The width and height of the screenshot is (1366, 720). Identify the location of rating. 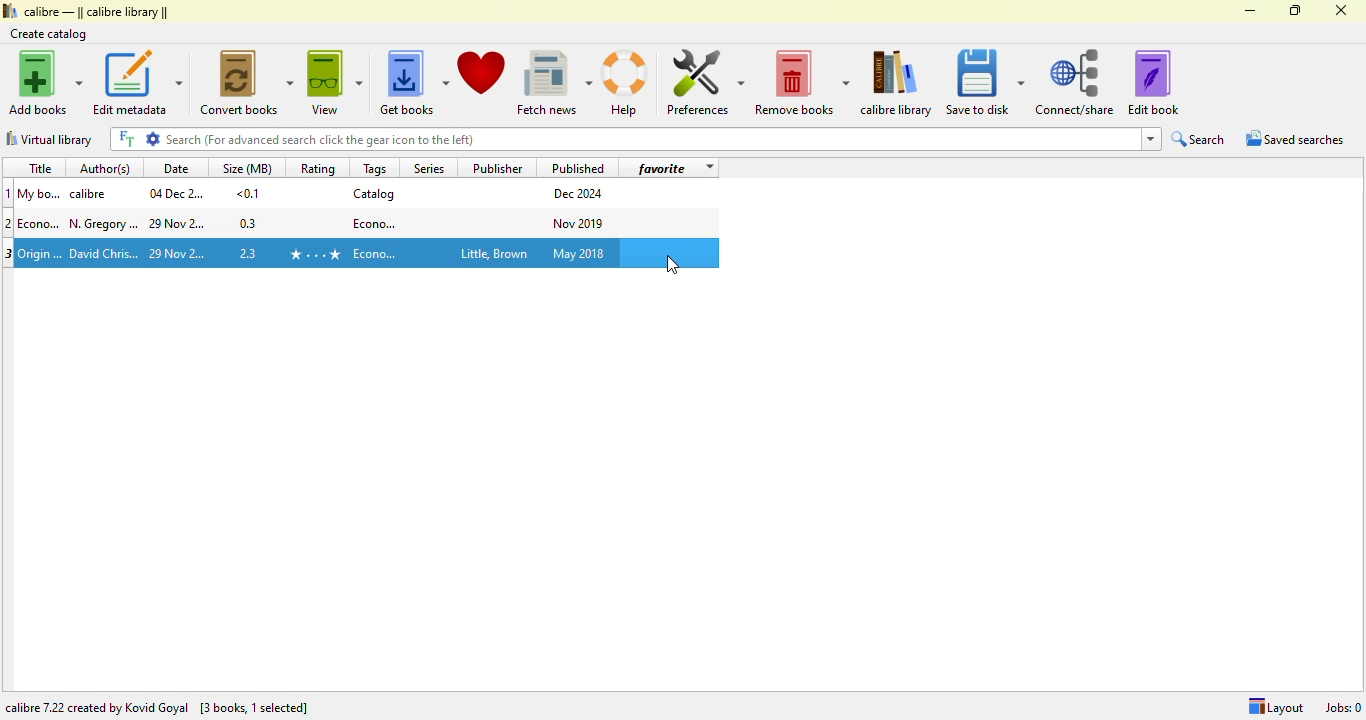
(317, 168).